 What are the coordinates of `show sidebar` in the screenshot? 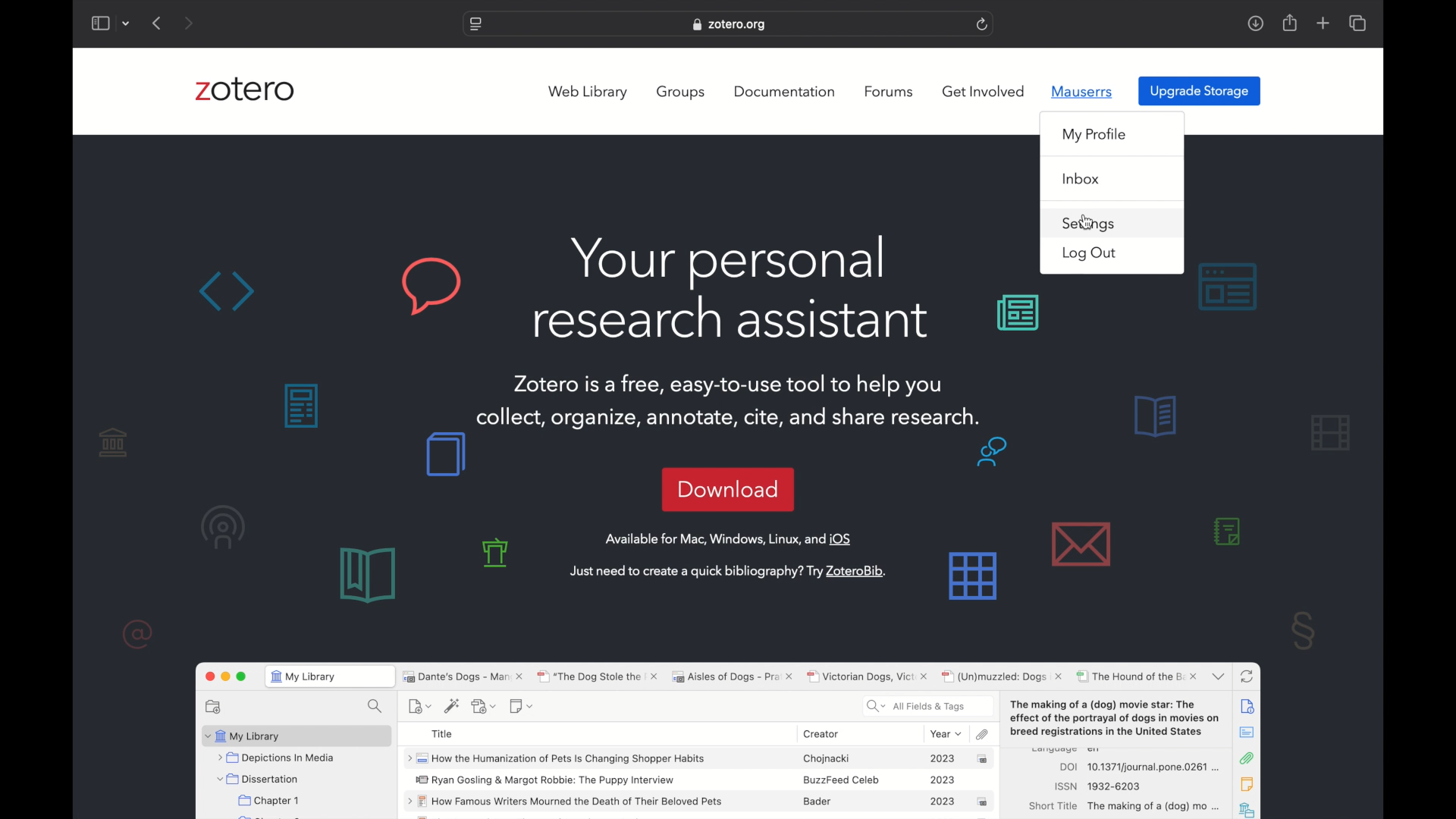 It's located at (99, 23).